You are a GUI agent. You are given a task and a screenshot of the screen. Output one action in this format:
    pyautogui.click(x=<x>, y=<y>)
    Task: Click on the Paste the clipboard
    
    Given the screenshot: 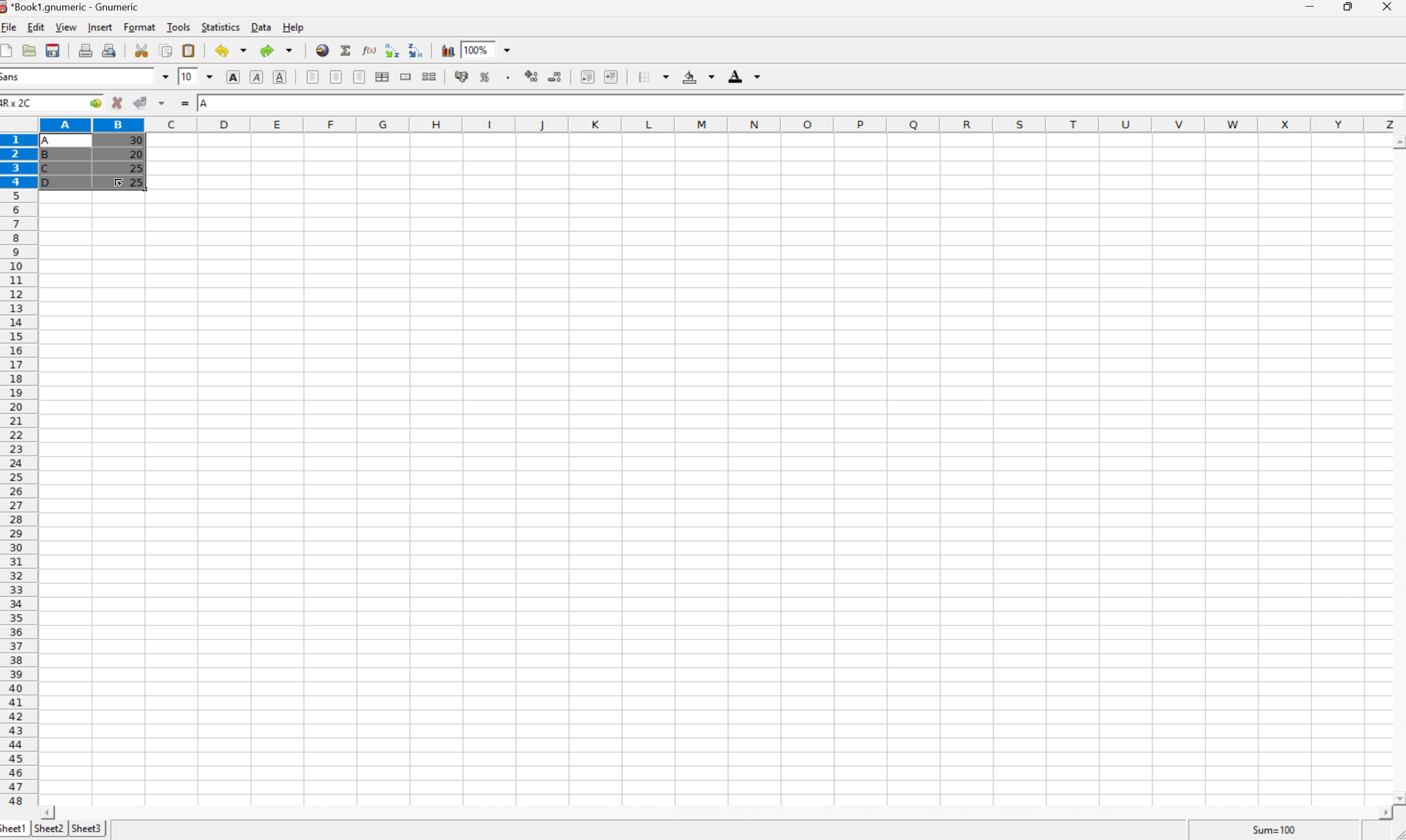 What is the action you would take?
    pyautogui.click(x=188, y=50)
    